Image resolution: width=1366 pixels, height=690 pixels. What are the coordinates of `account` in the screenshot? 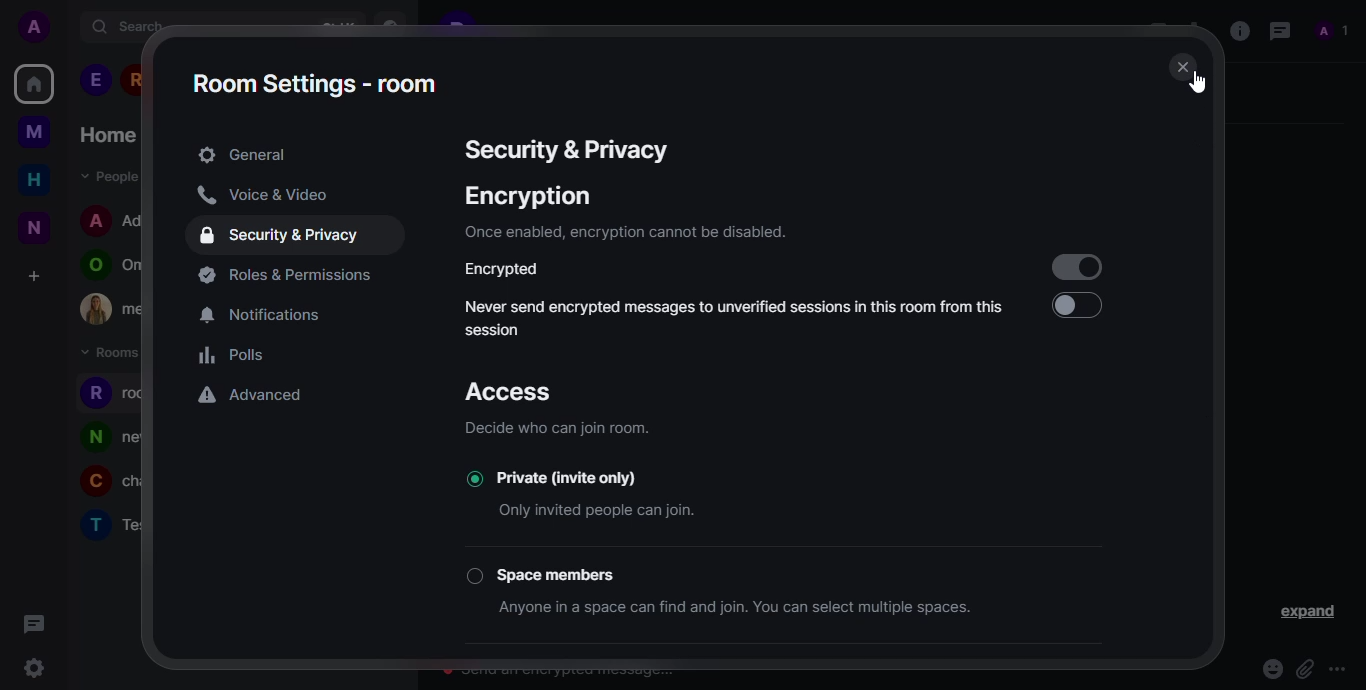 It's located at (39, 28).